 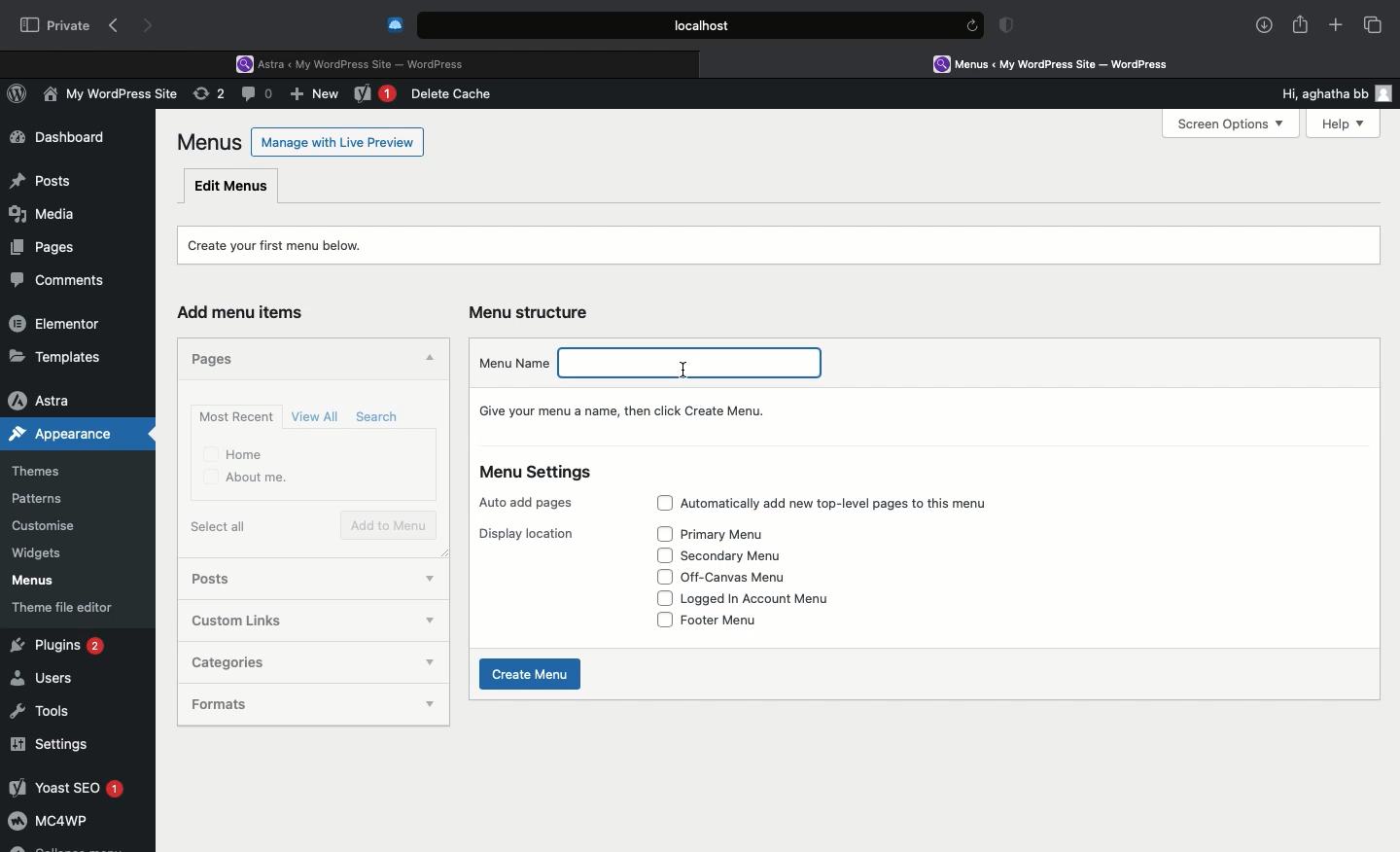 What do you see at coordinates (743, 534) in the screenshot?
I see `Primary menu` at bounding box center [743, 534].